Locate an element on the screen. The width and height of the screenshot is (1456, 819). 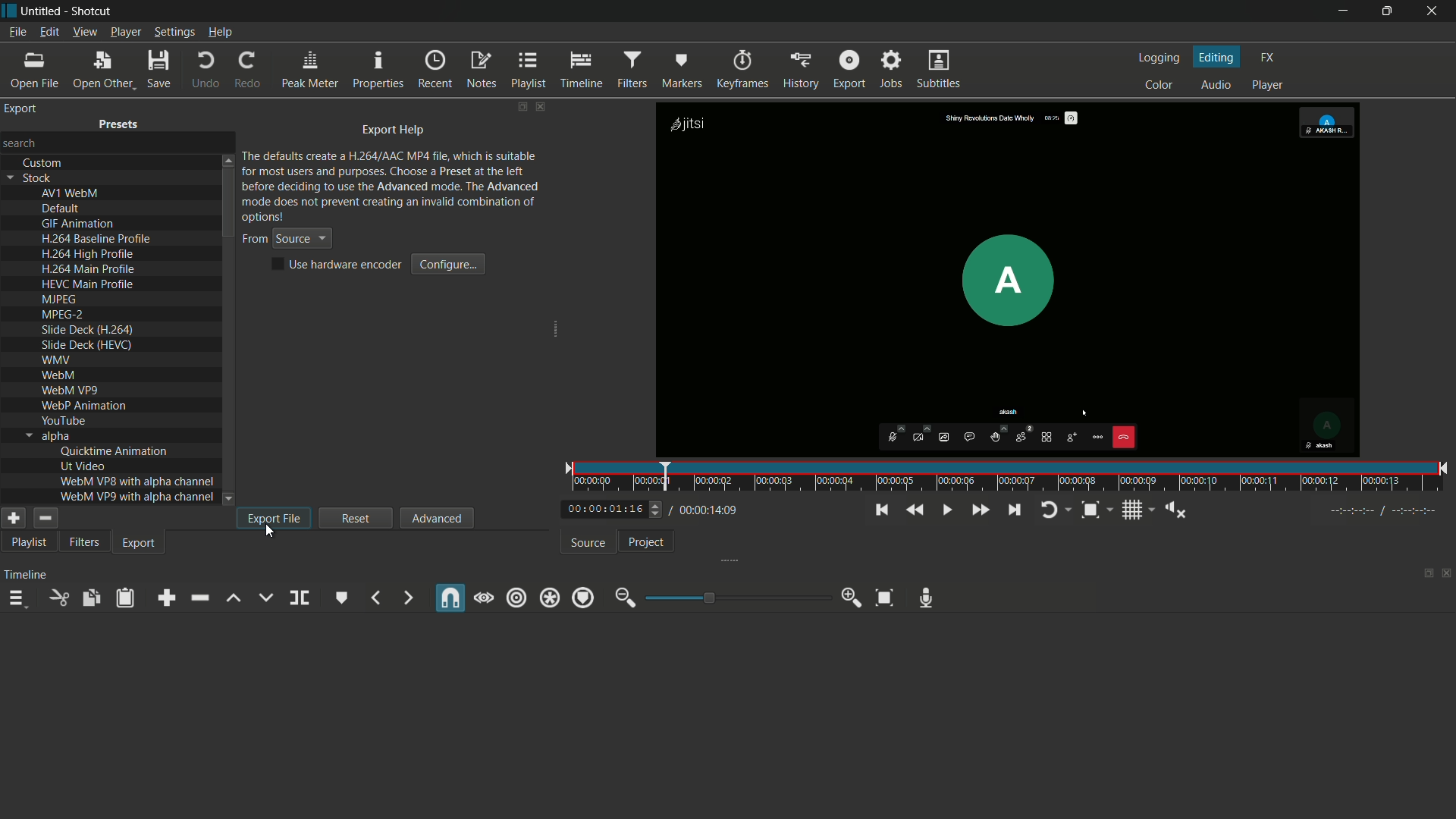
ripple is located at coordinates (518, 597).